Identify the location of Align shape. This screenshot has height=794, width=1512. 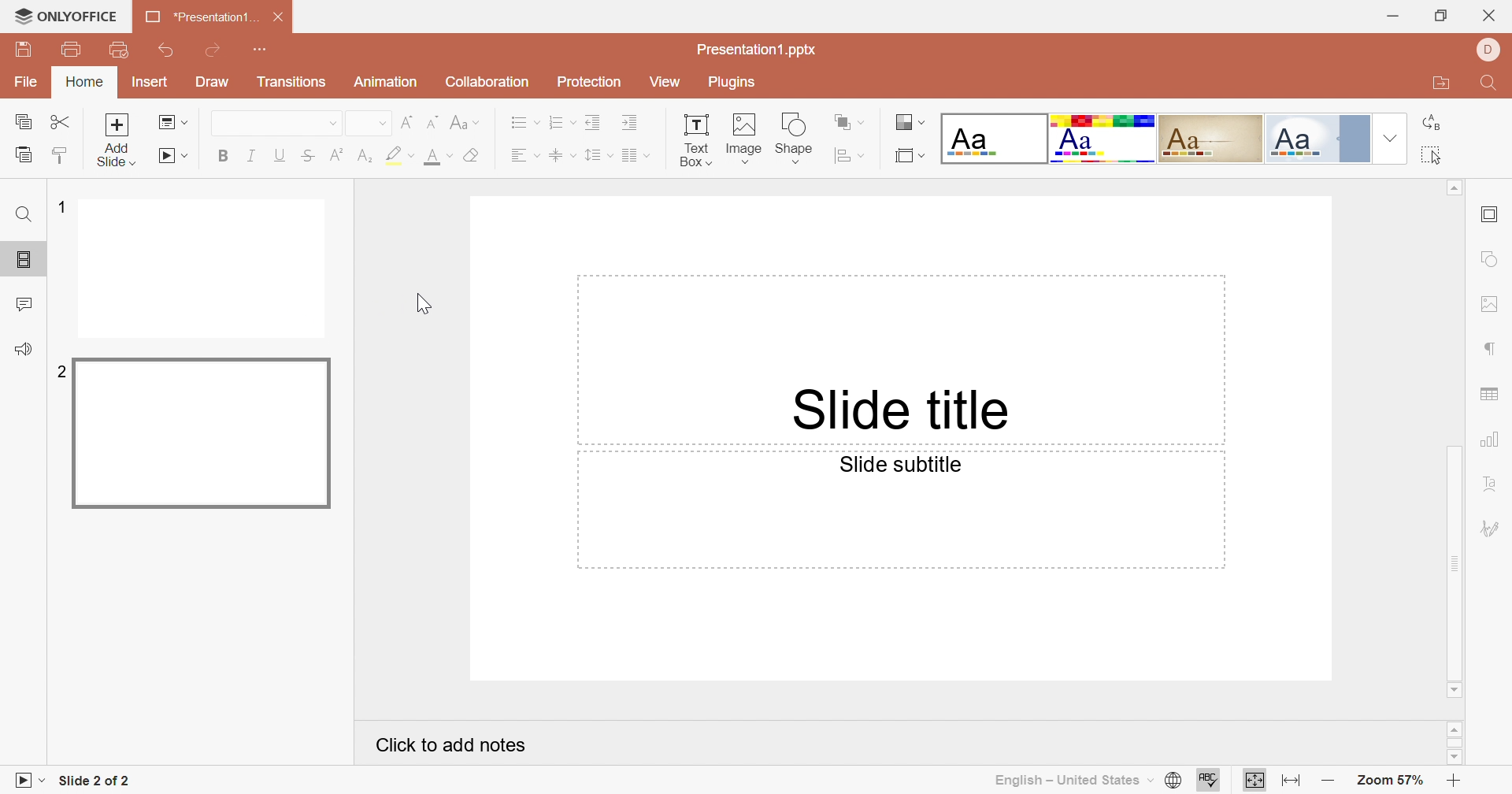
(842, 155).